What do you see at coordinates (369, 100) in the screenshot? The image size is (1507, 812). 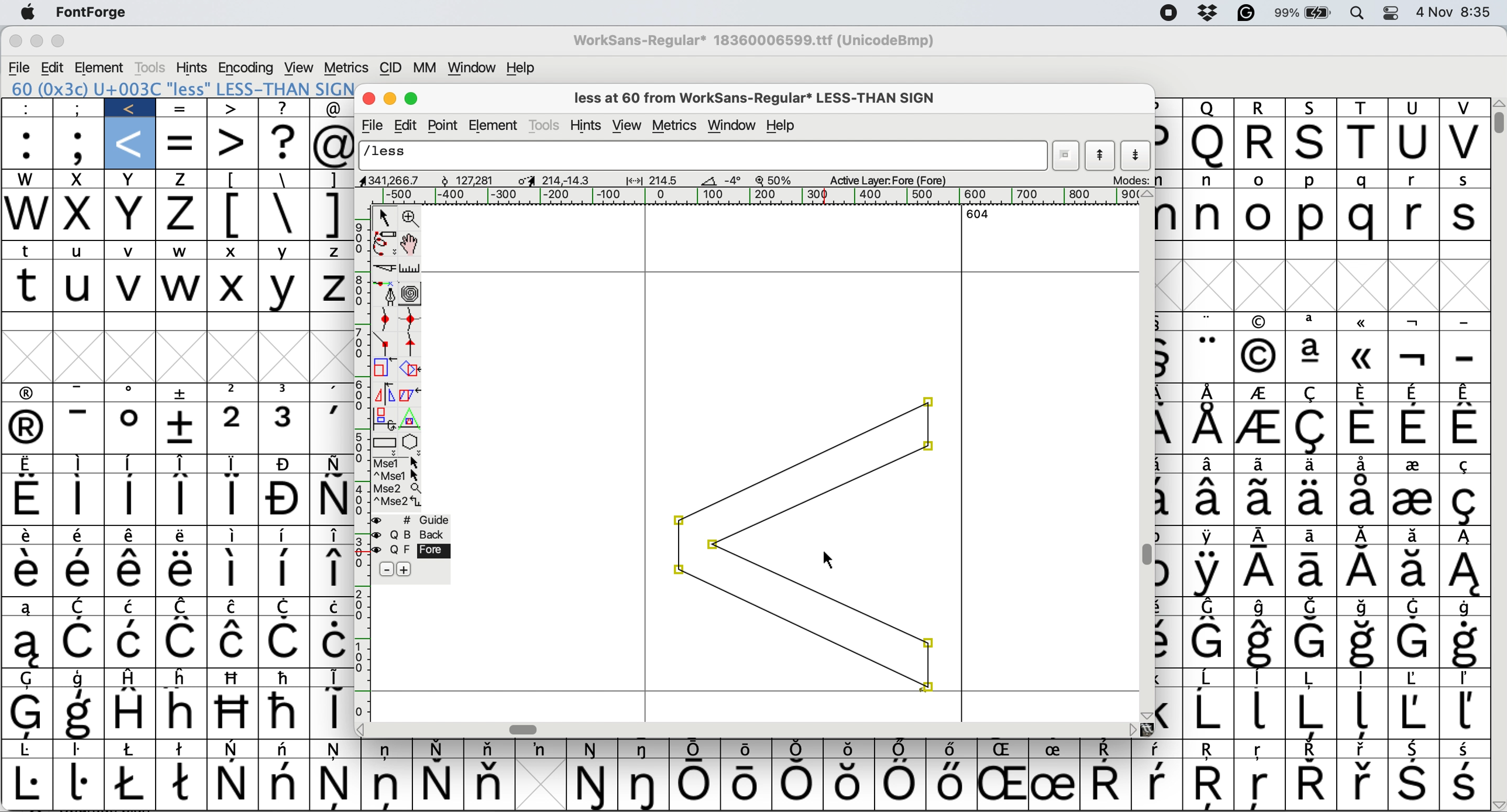 I see `close` at bounding box center [369, 100].